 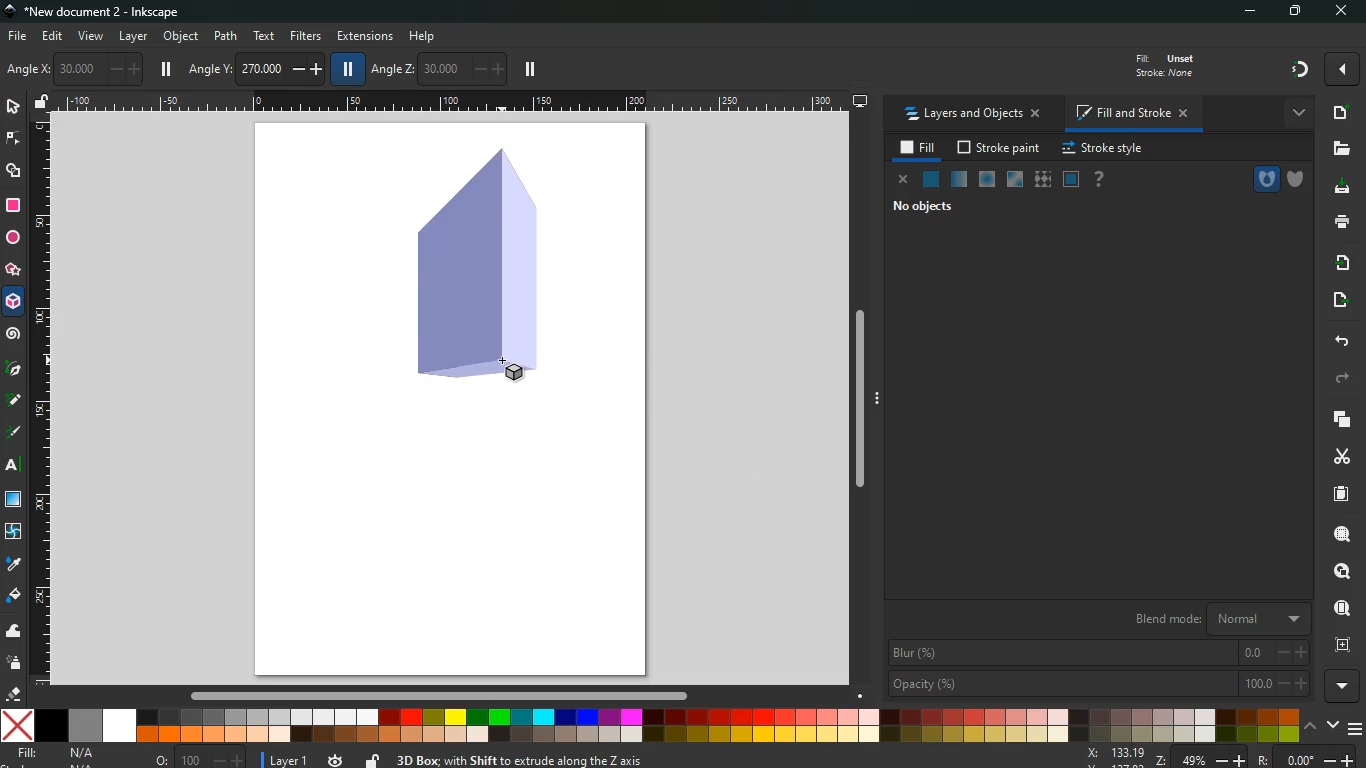 I want to click on Ruler, so click(x=454, y=102).